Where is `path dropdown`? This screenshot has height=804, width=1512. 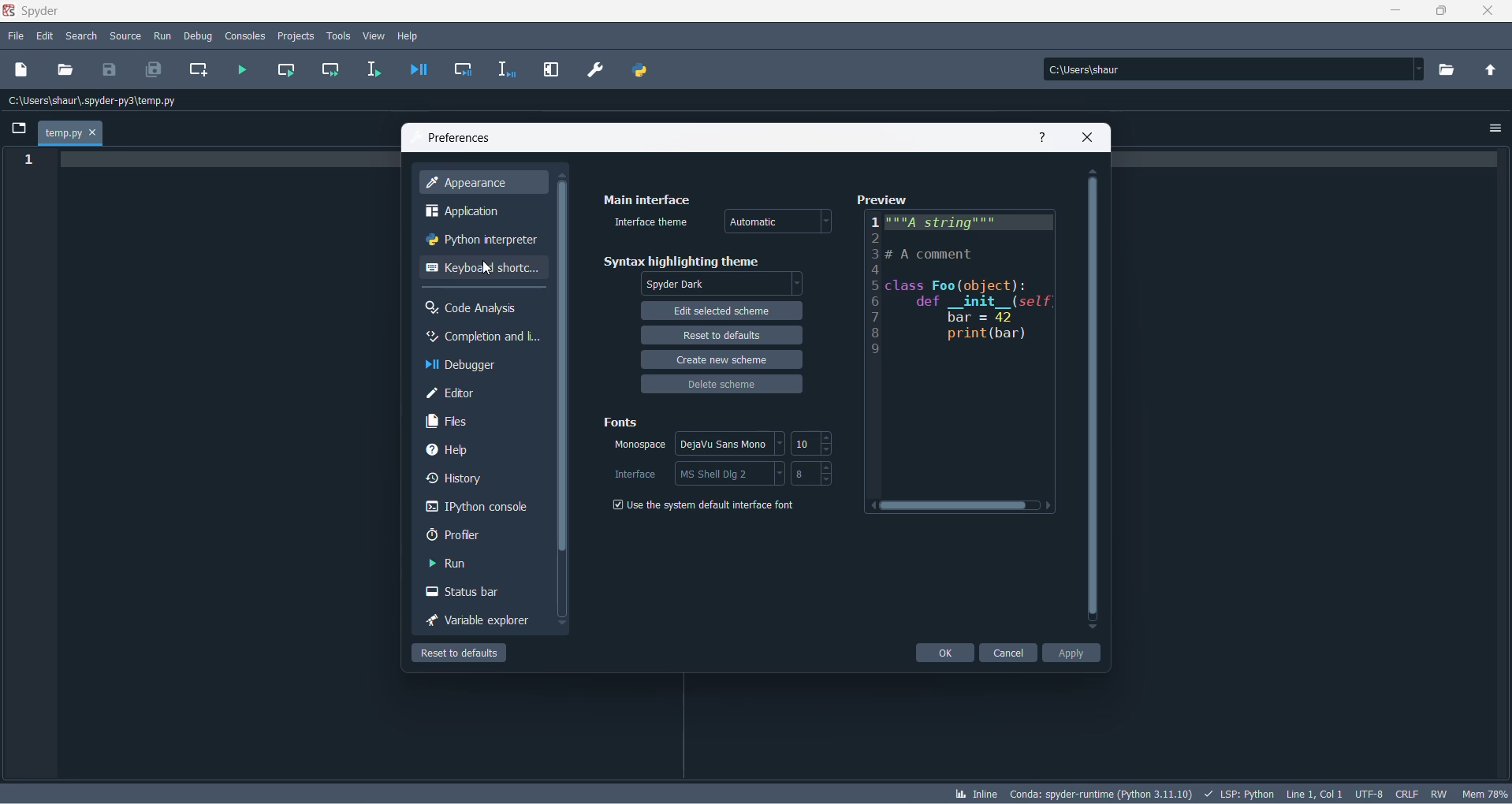
path dropdown is located at coordinates (1424, 69).